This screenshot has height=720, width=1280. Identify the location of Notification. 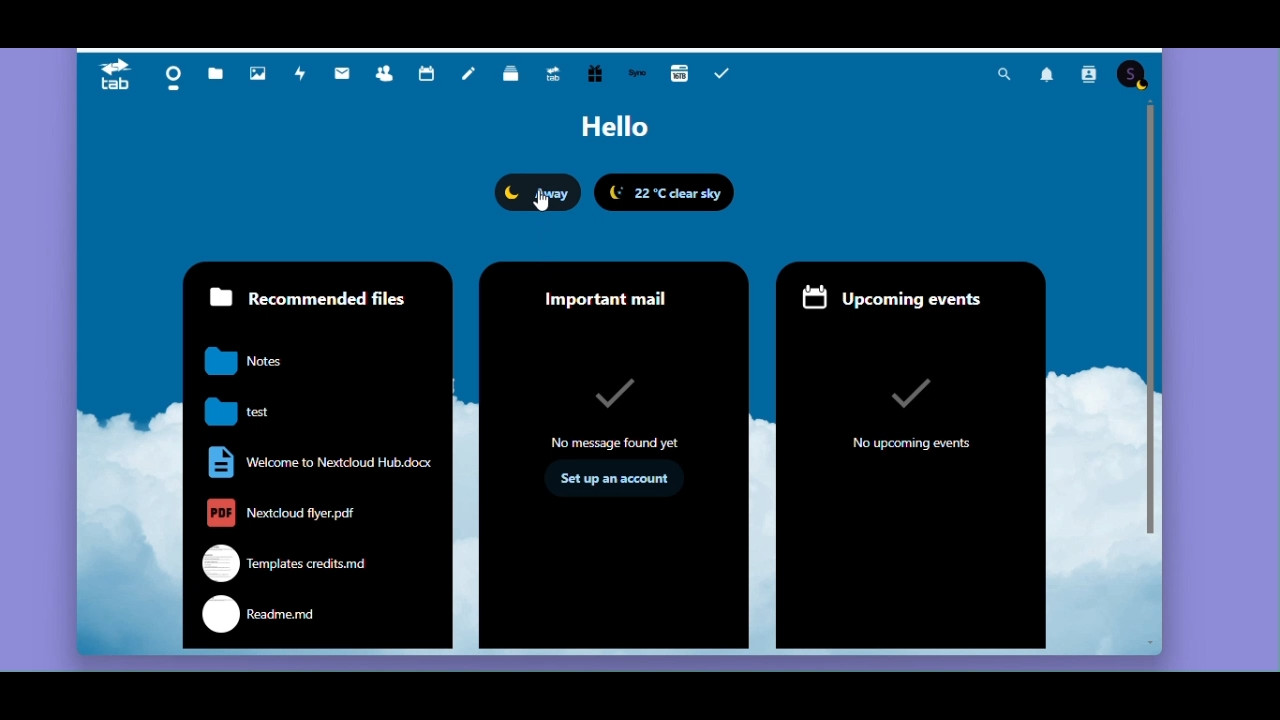
(1045, 76).